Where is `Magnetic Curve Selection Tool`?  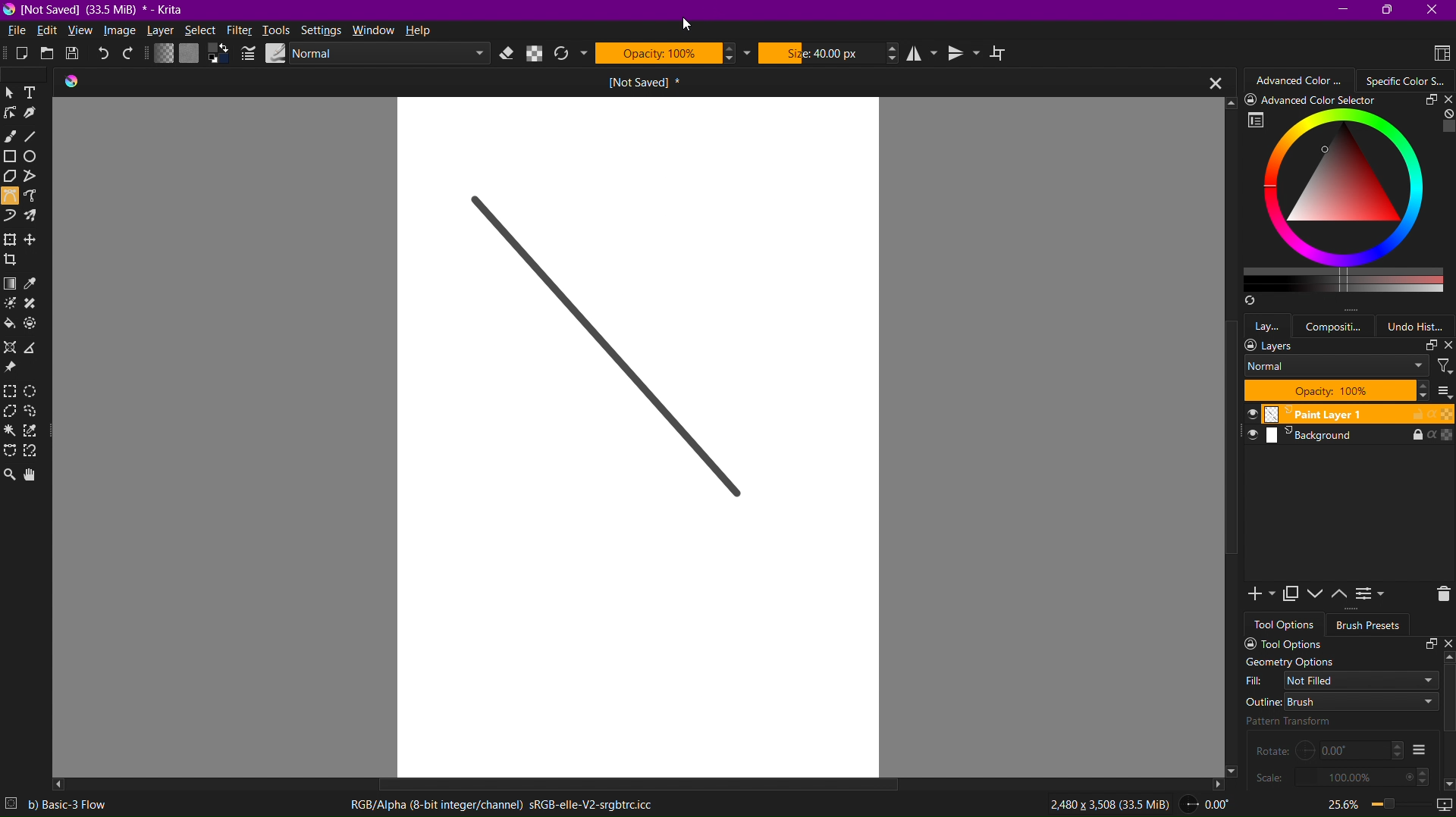 Magnetic Curve Selection Tool is located at coordinates (35, 452).